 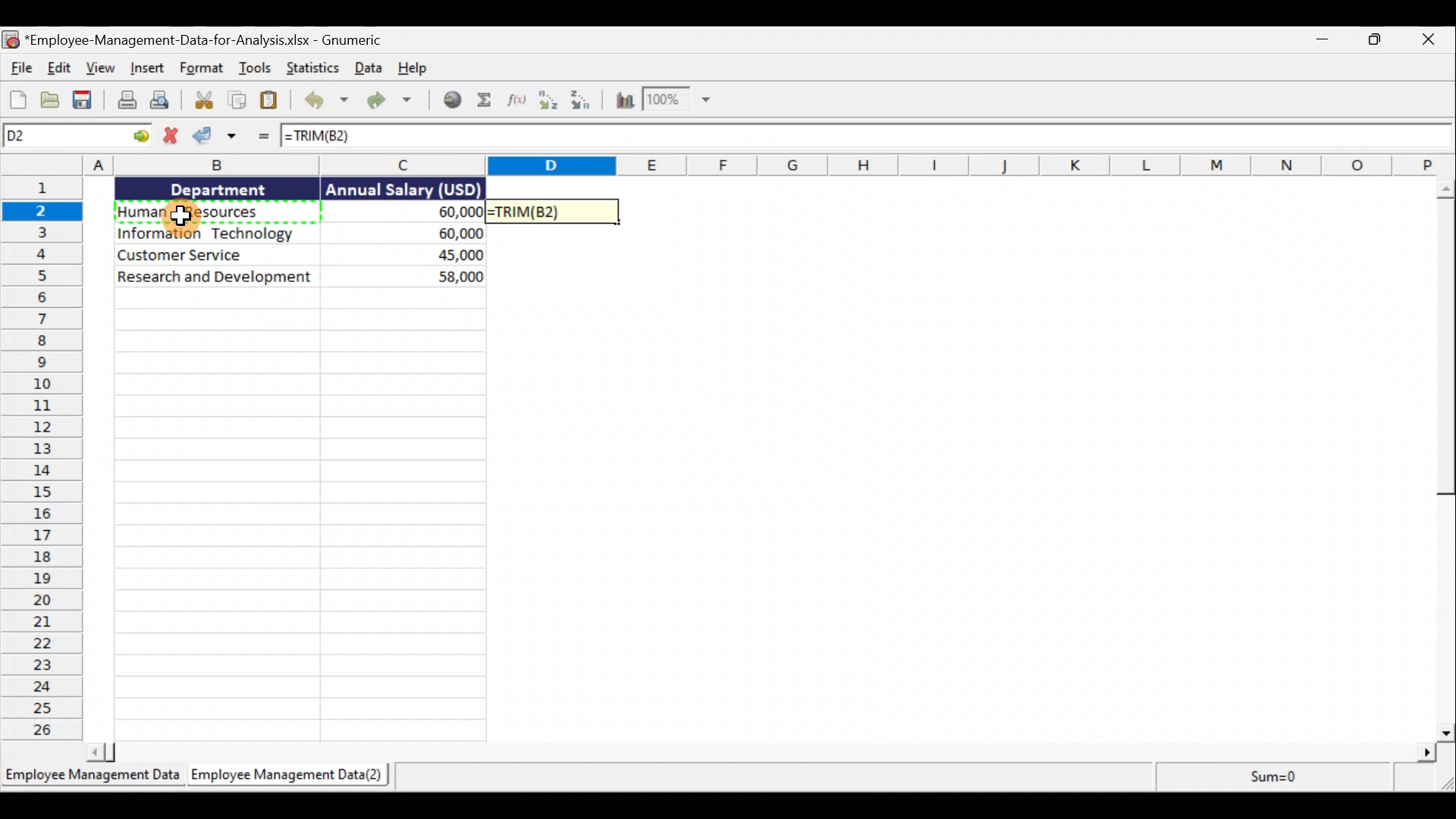 What do you see at coordinates (99, 71) in the screenshot?
I see `View` at bounding box center [99, 71].